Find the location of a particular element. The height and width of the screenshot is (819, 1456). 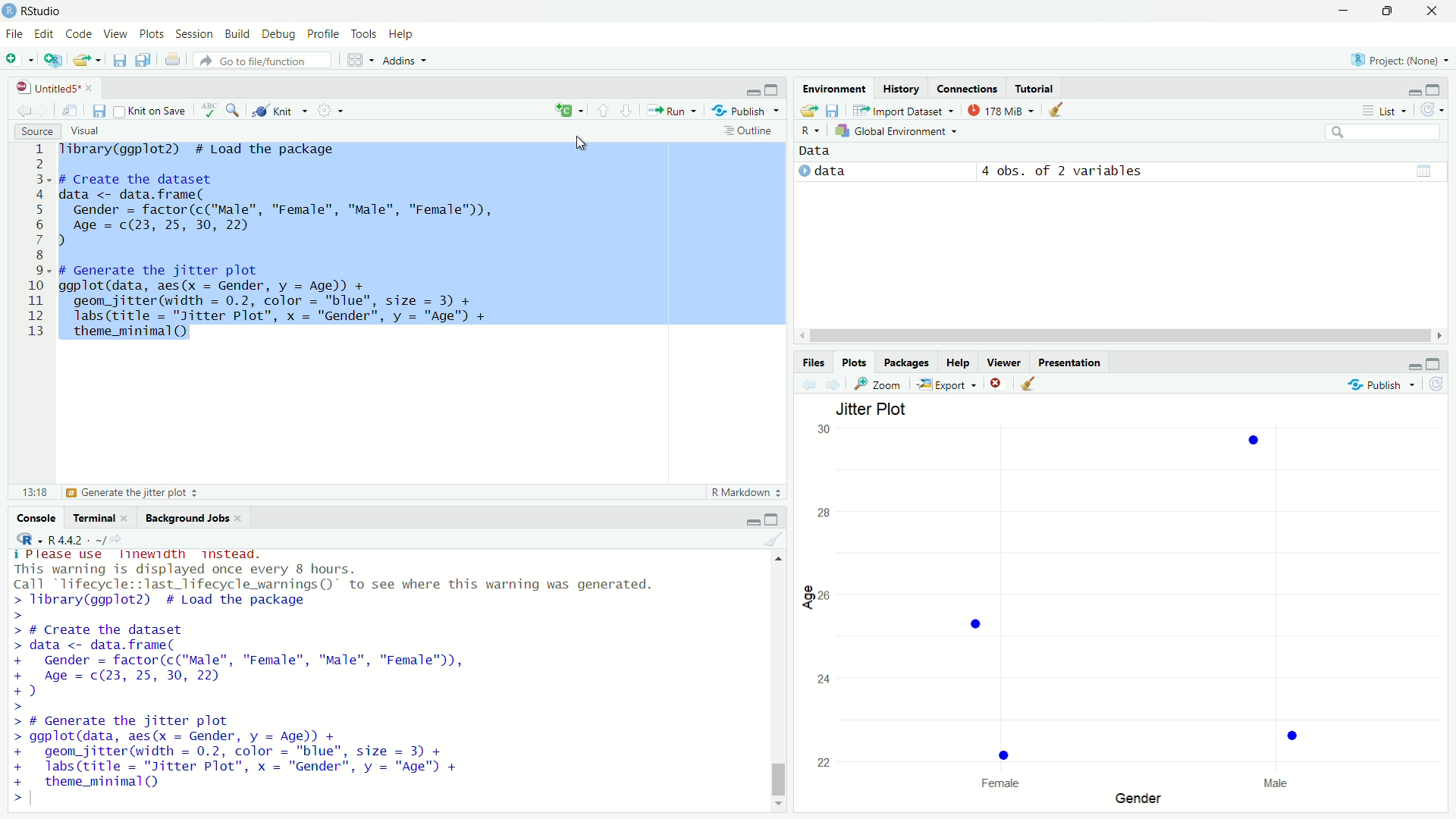

logo is located at coordinates (9, 11).